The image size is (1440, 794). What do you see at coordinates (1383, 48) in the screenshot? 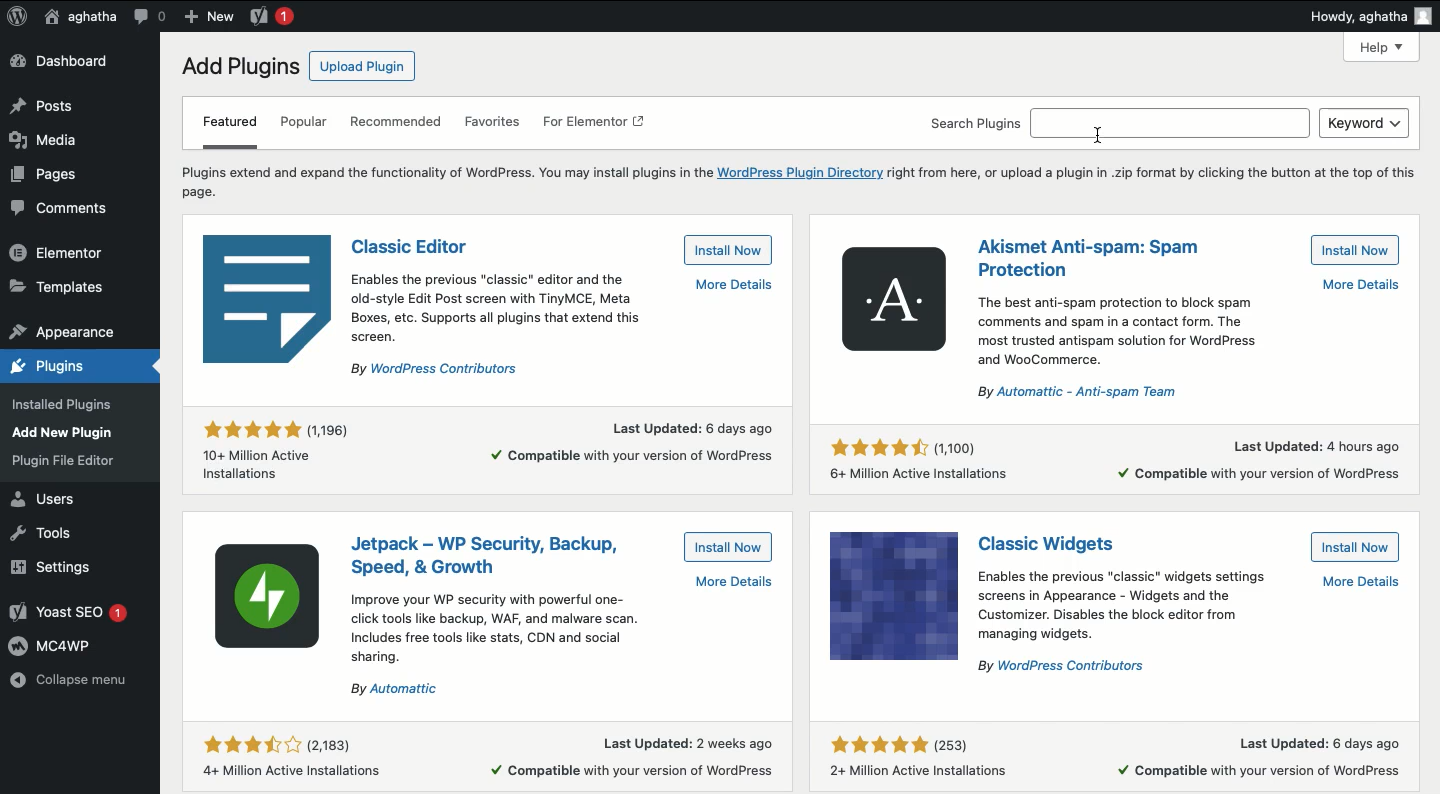
I see `Help` at bounding box center [1383, 48].